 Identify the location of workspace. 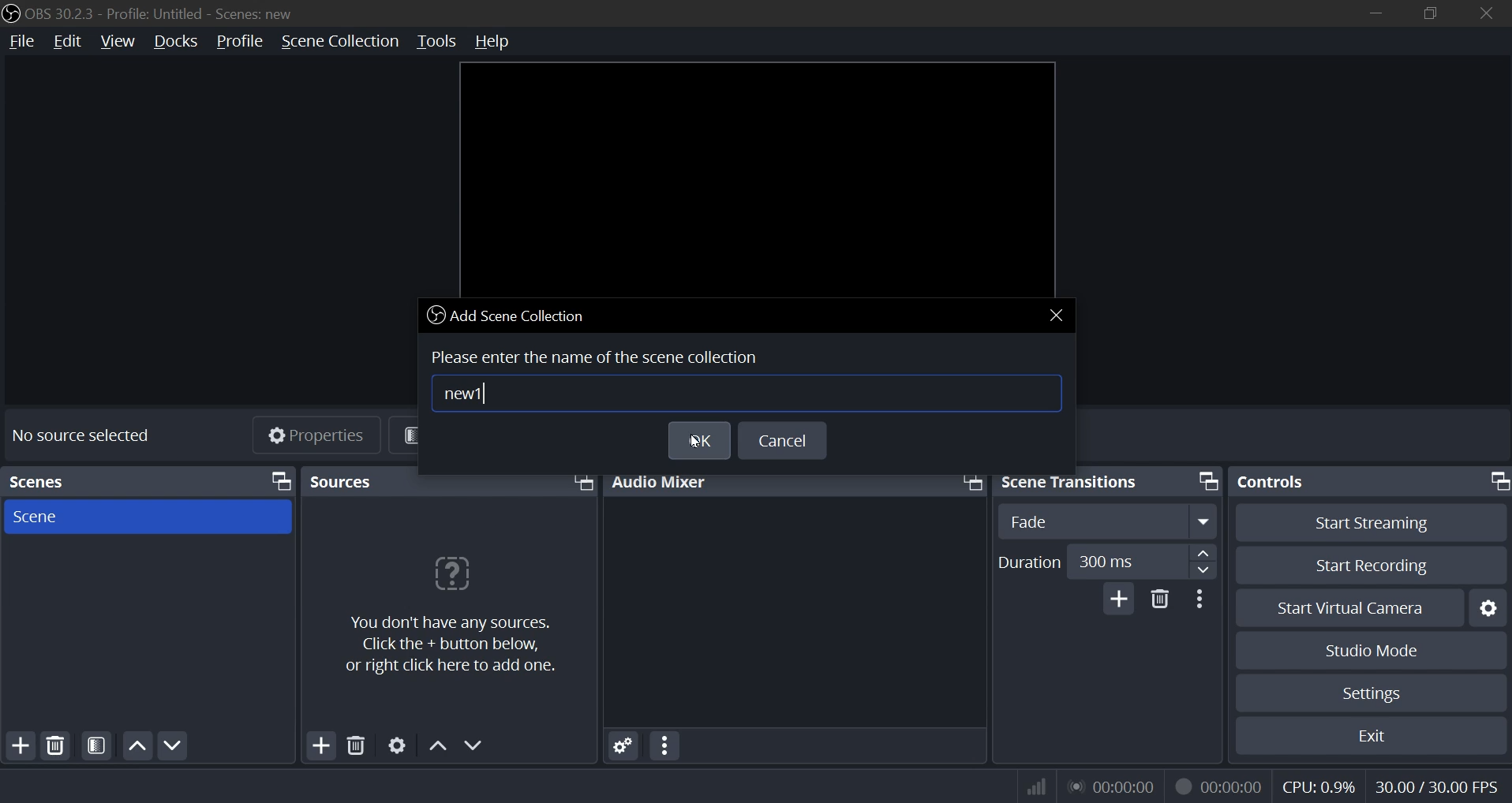
(755, 177).